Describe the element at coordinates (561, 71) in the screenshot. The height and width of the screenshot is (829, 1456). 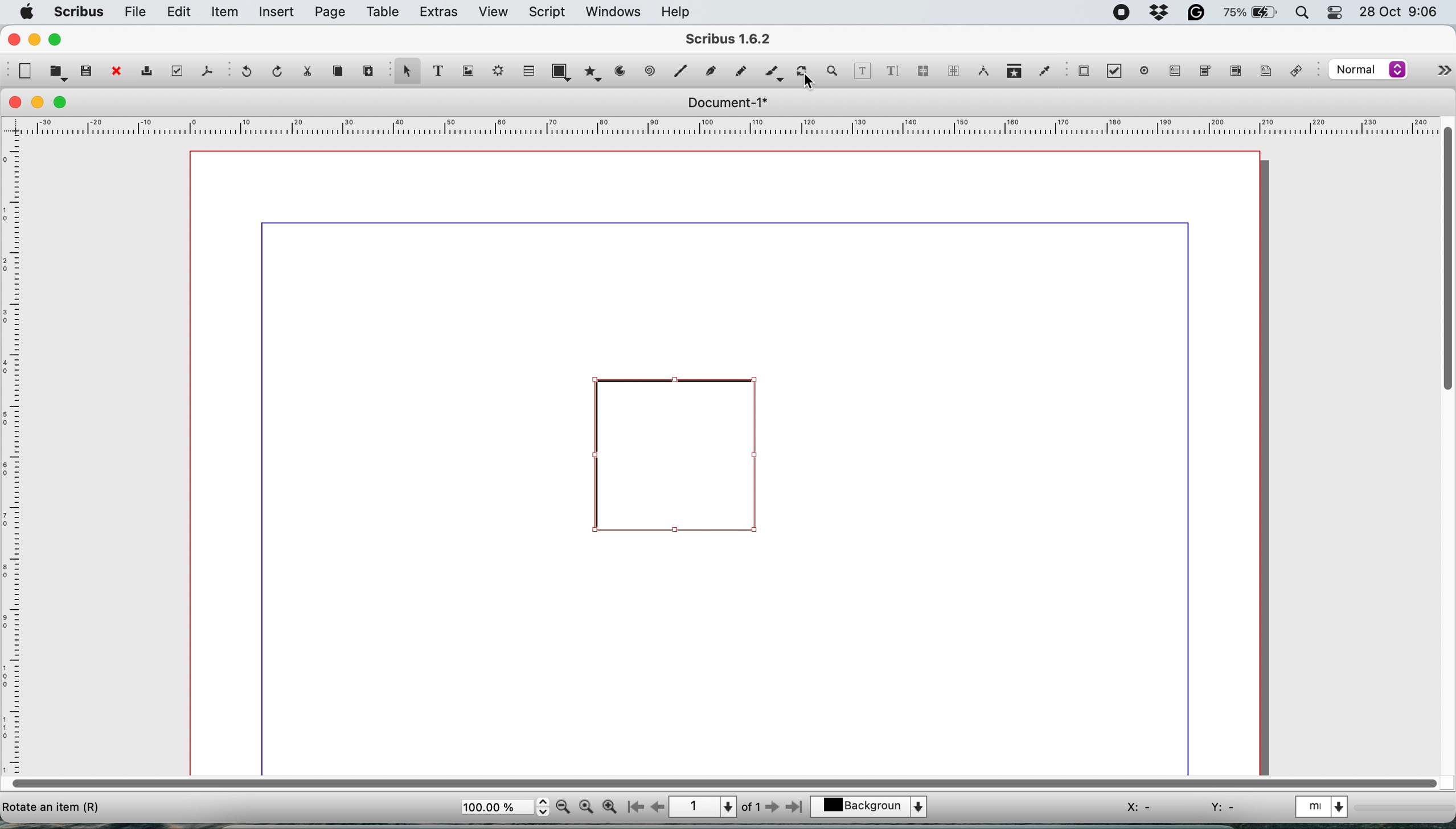
I see `shape` at that location.